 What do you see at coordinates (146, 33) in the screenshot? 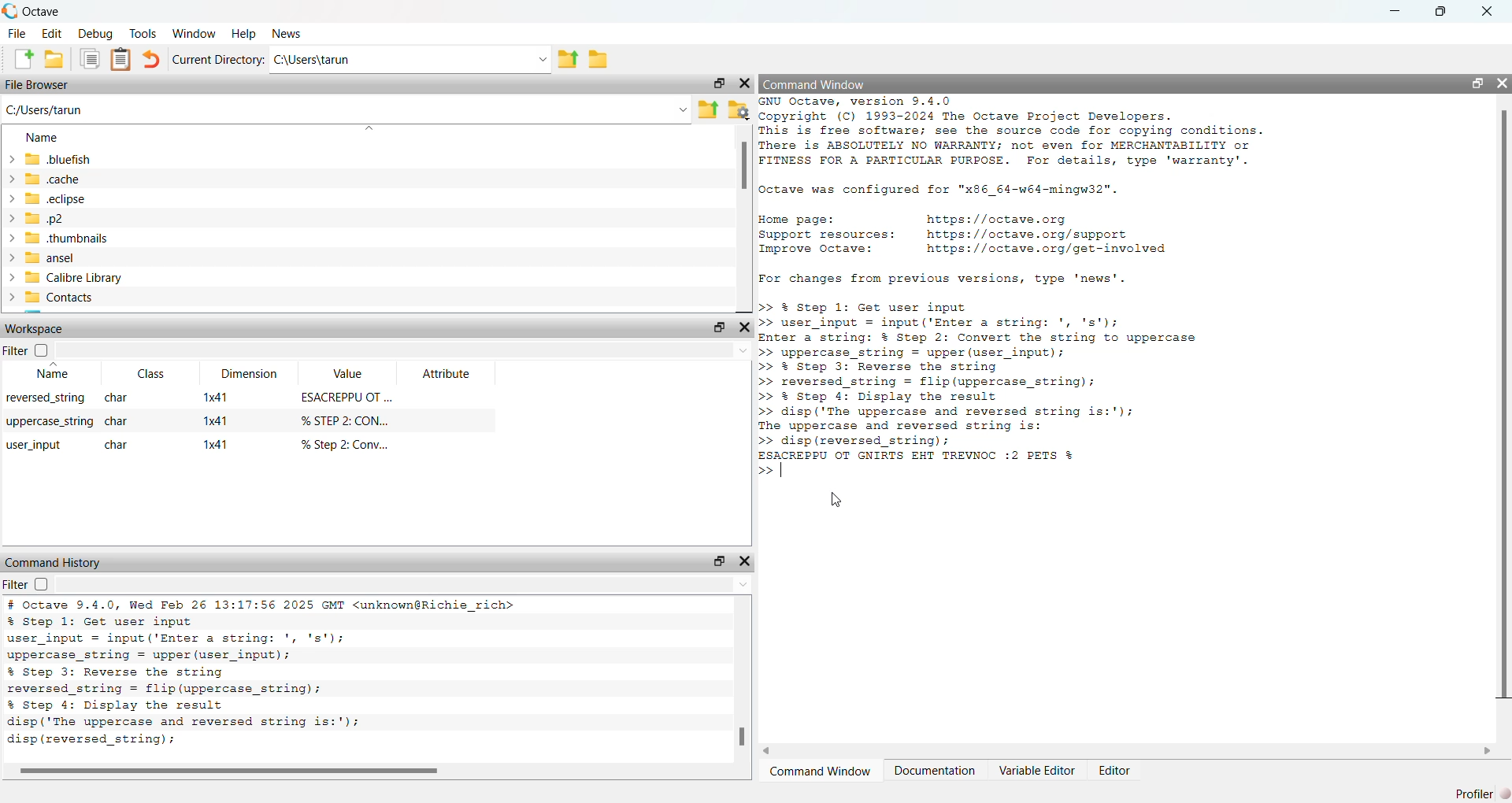
I see `tools` at bounding box center [146, 33].